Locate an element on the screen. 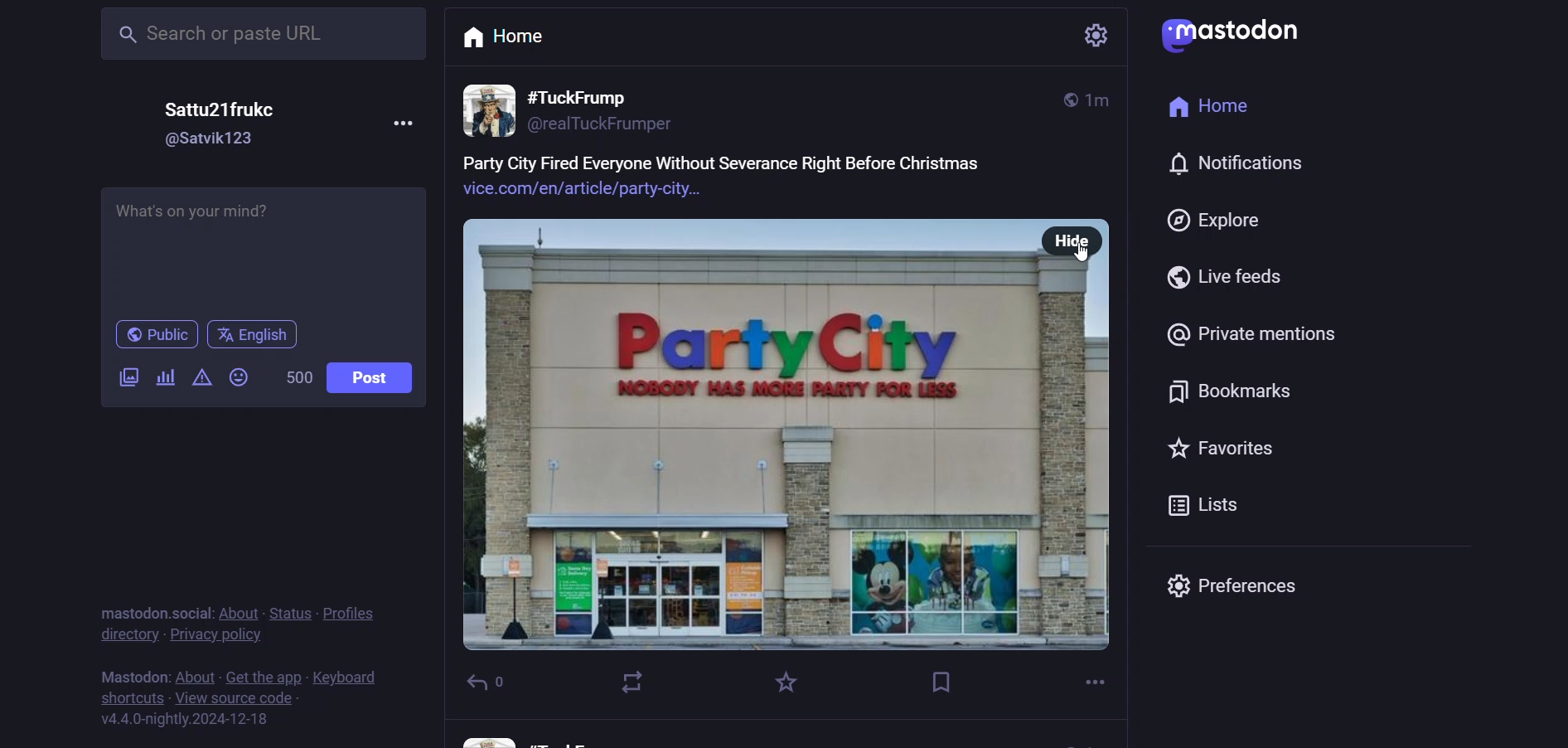 The image size is (1568, 748). favorites is located at coordinates (786, 682).